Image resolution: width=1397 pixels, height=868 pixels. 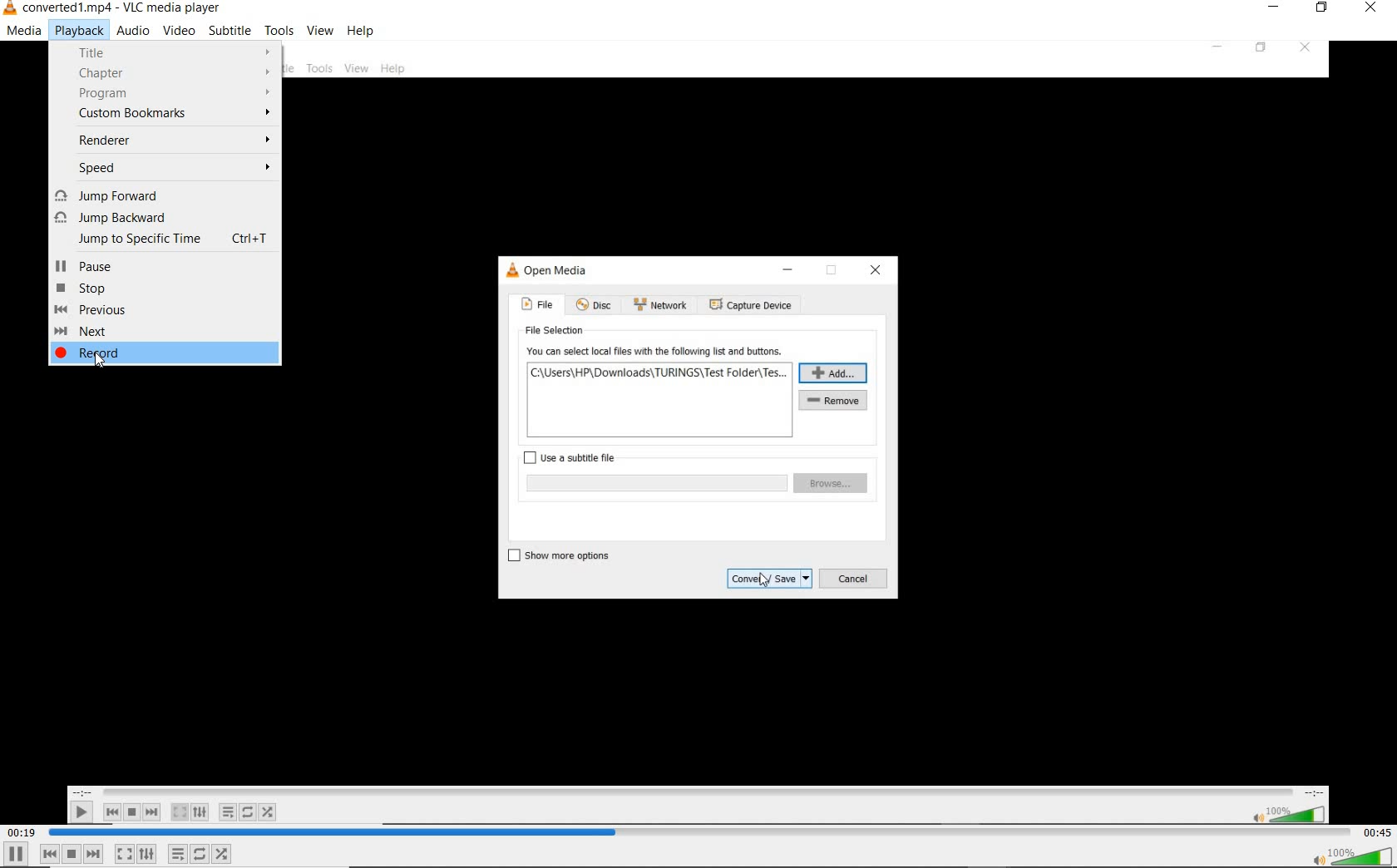 I want to click on restore down, so click(x=1325, y=8).